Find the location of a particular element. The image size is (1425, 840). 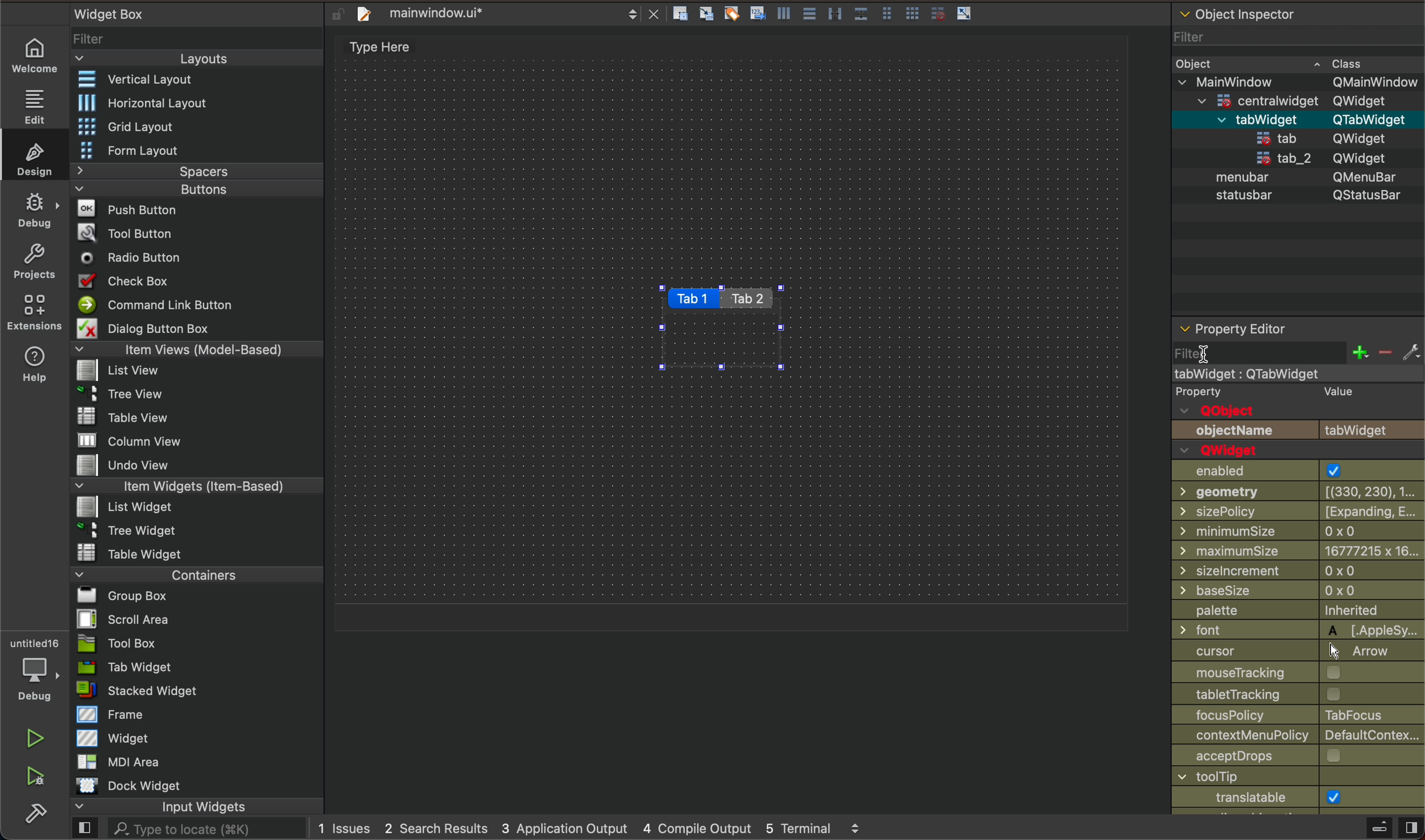

min size is located at coordinates (1299, 532).